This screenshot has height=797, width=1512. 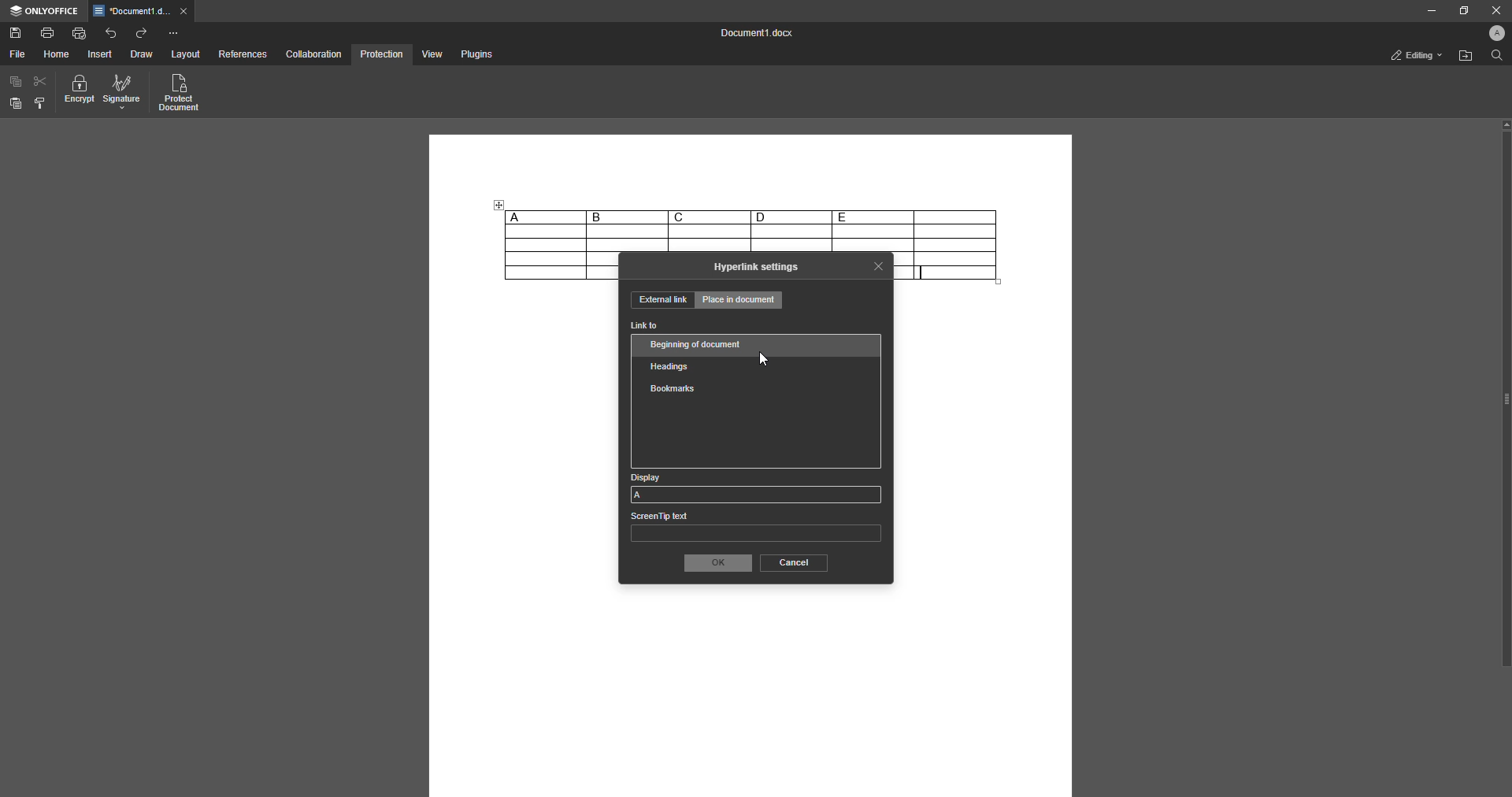 I want to click on Plugins, so click(x=475, y=55).